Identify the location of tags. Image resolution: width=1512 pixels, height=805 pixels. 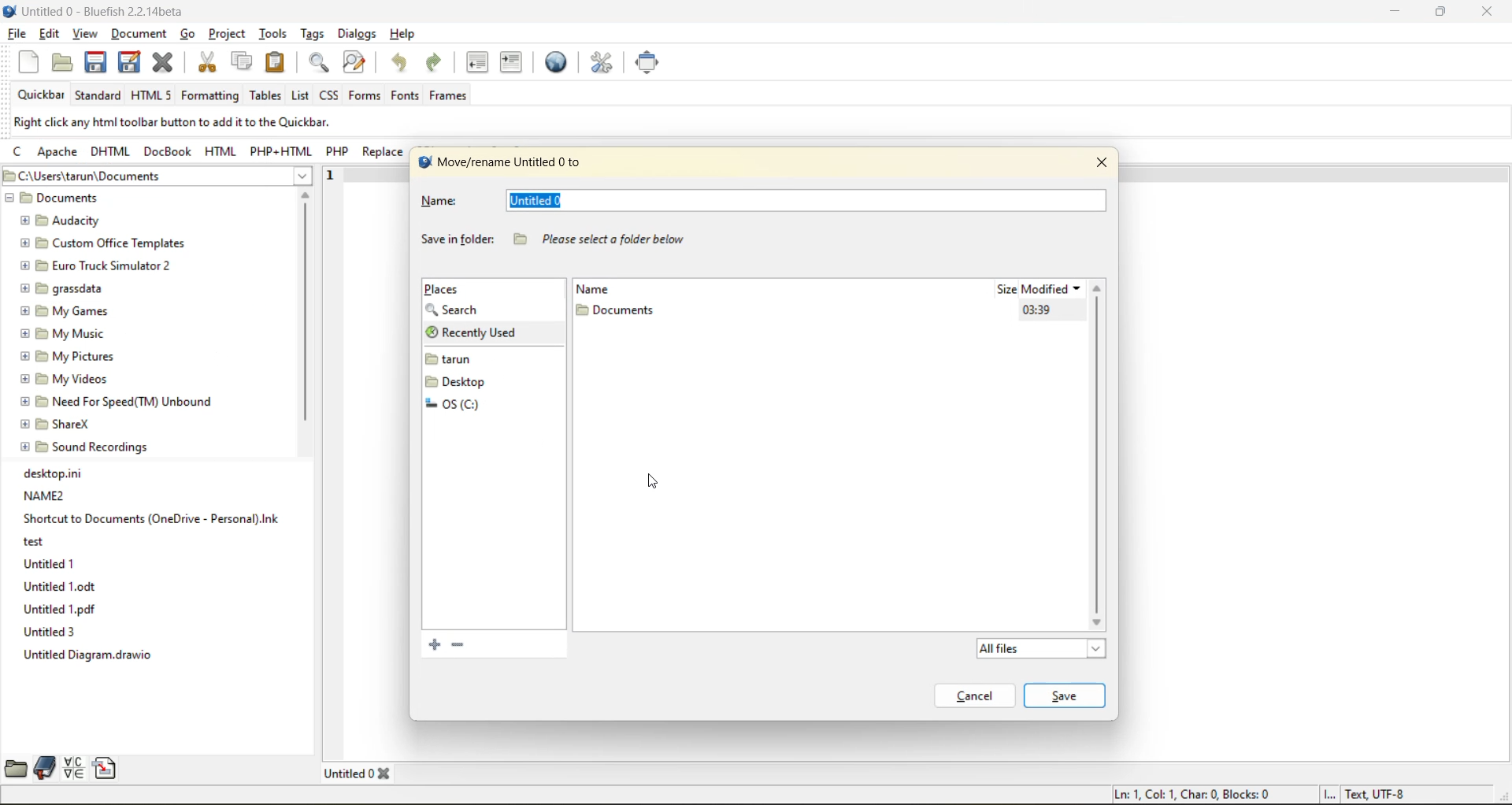
(315, 35).